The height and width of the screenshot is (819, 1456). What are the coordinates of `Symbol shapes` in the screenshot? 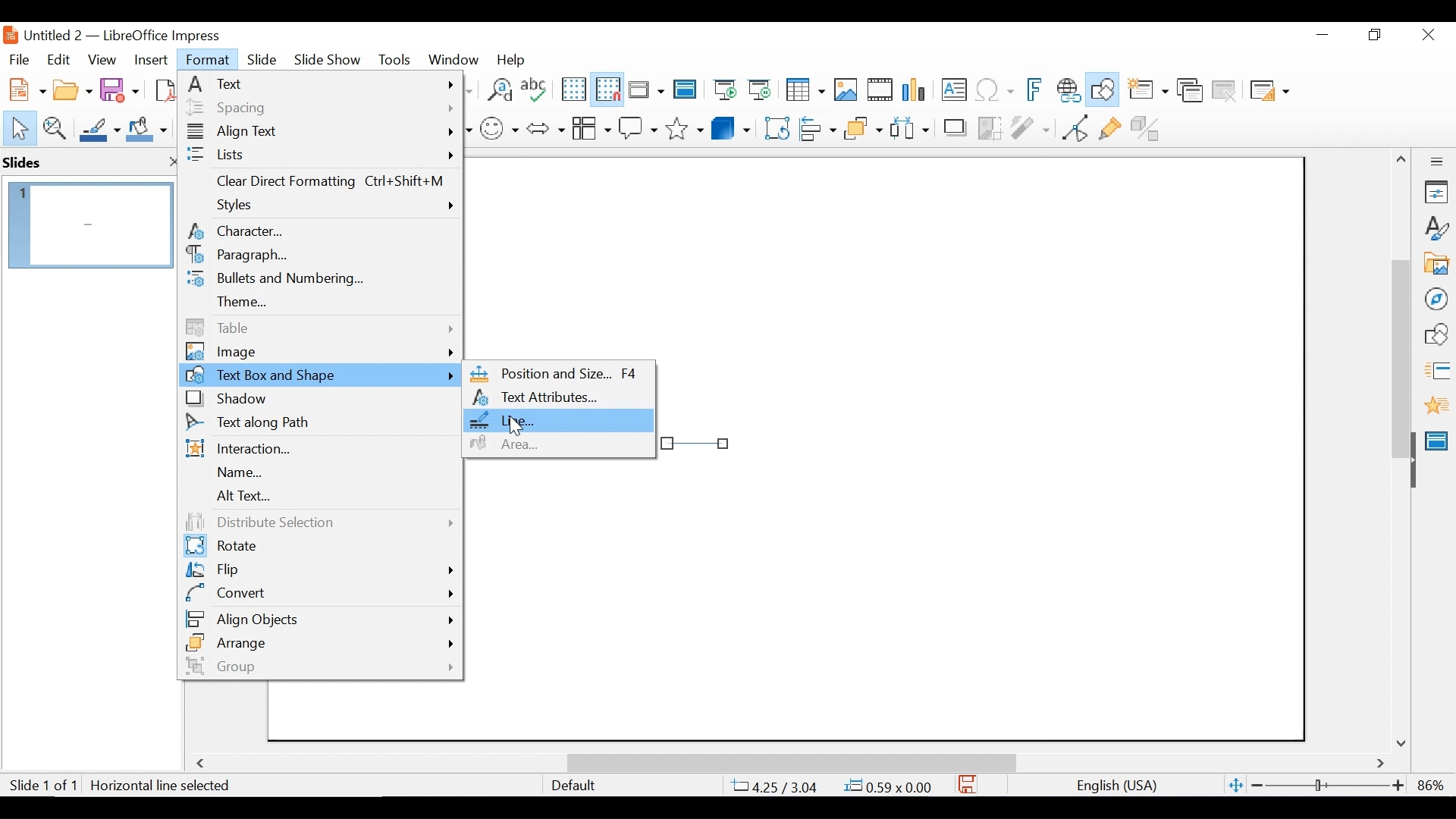 It's located at (500, 127).